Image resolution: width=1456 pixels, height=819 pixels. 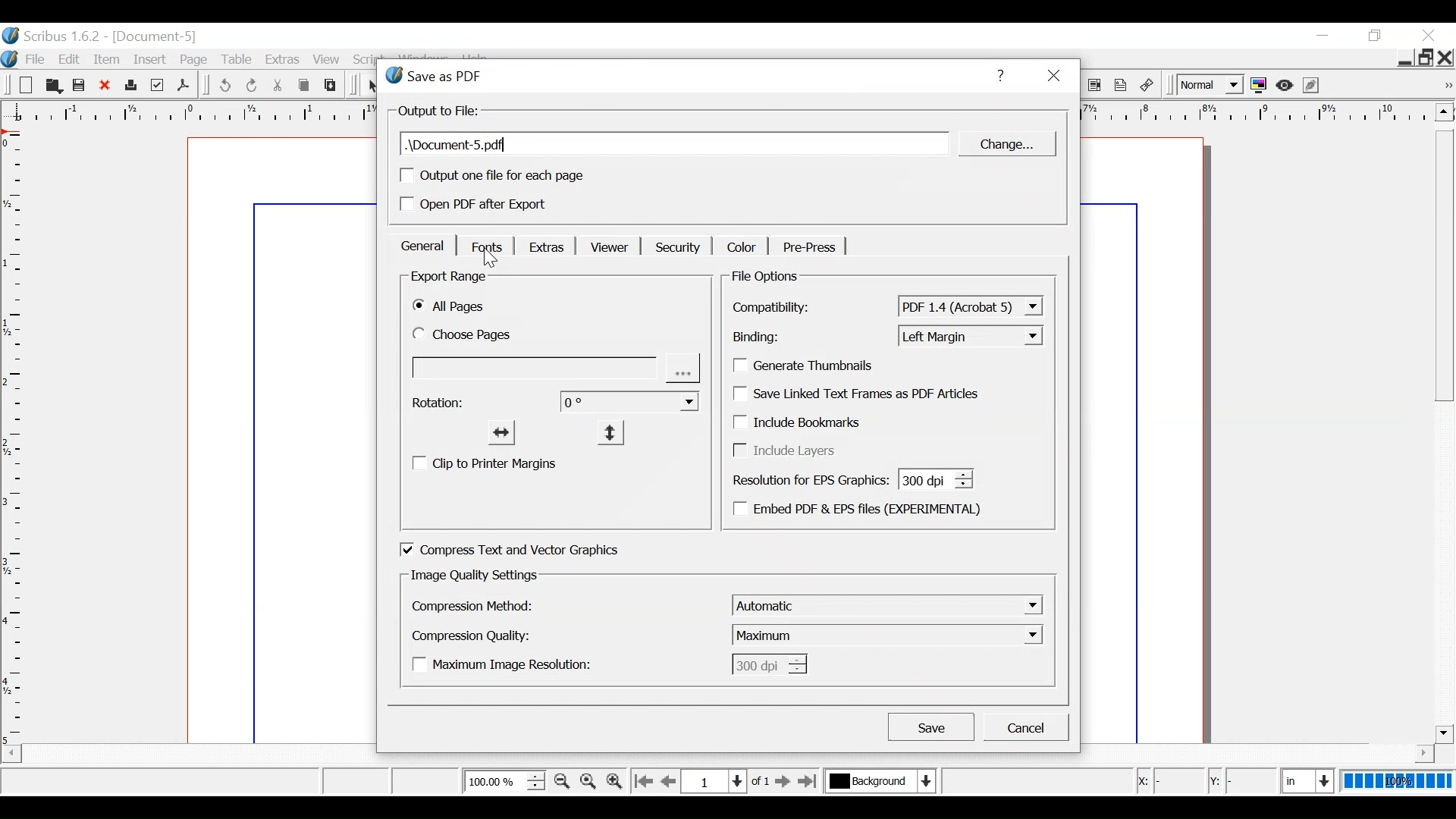 I want to click on Y Coordintae, so click(x=1241, y=782).